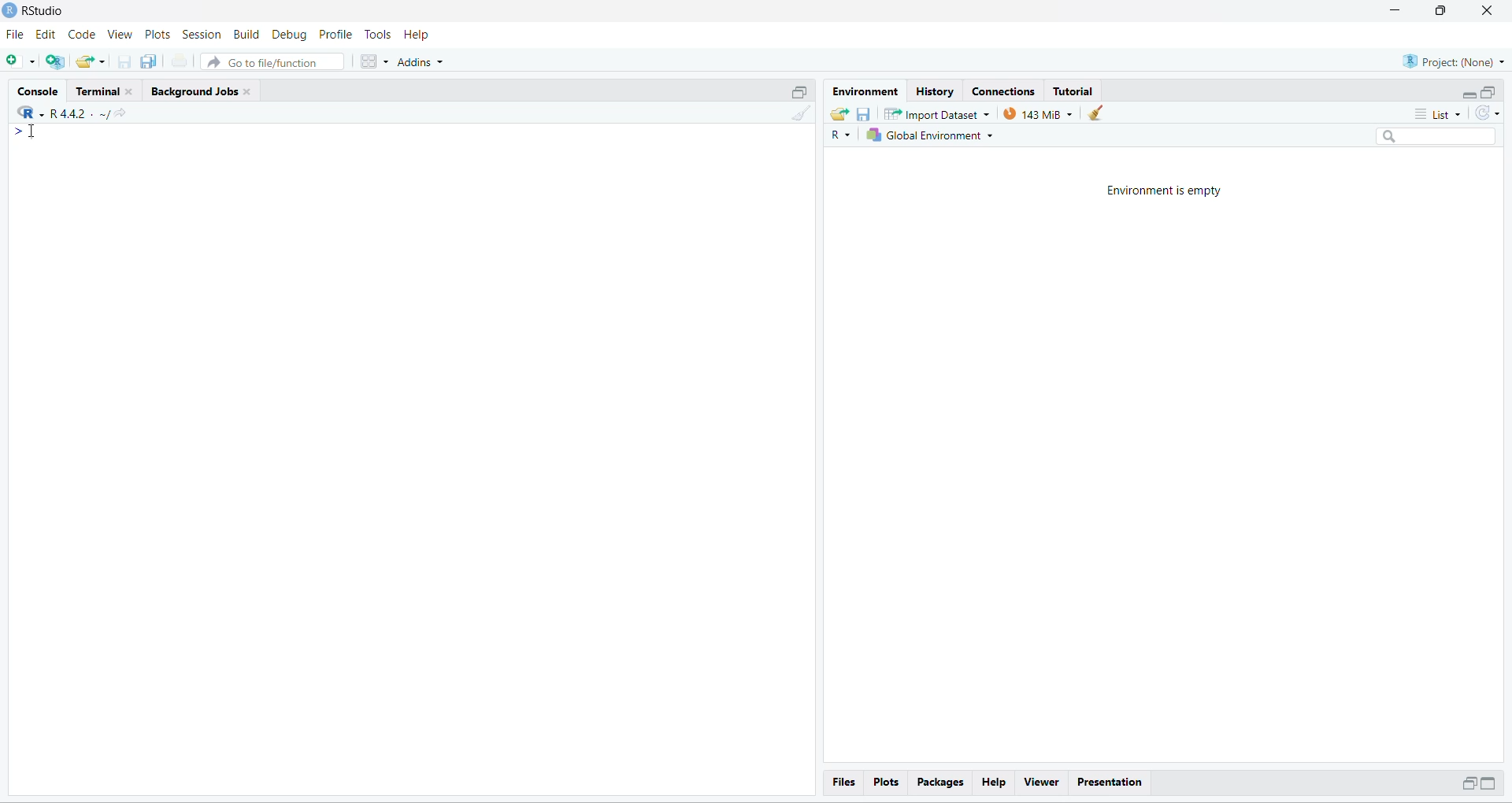 The height and width of the screenshot is (803, 1512). What do you see at coordinates (9, 9) in the screenshot?
I see `logo` at bounding box center [9, 9].